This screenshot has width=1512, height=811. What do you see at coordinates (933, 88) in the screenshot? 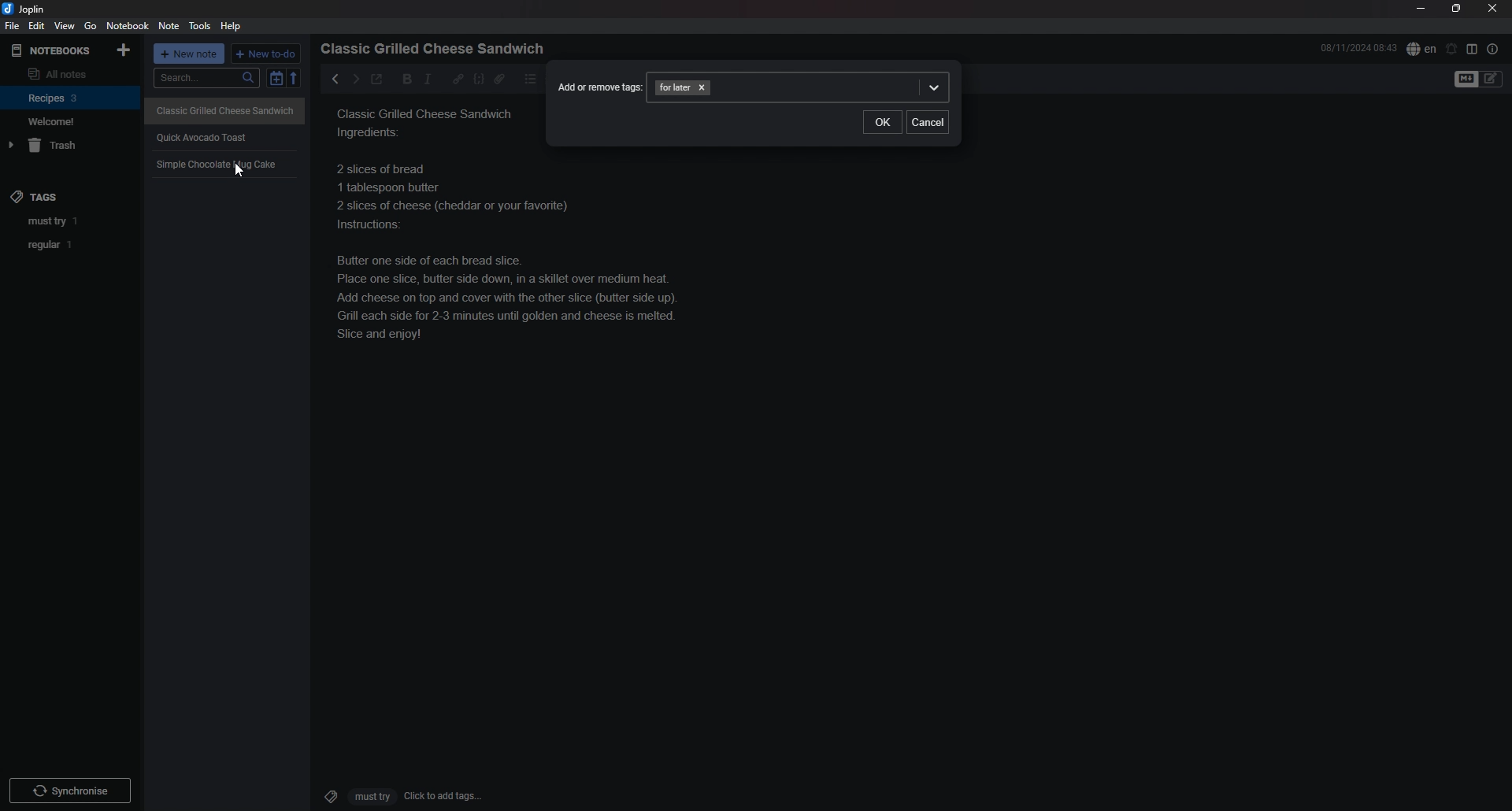
I see `dropdown` at bounding box center [933, 88].